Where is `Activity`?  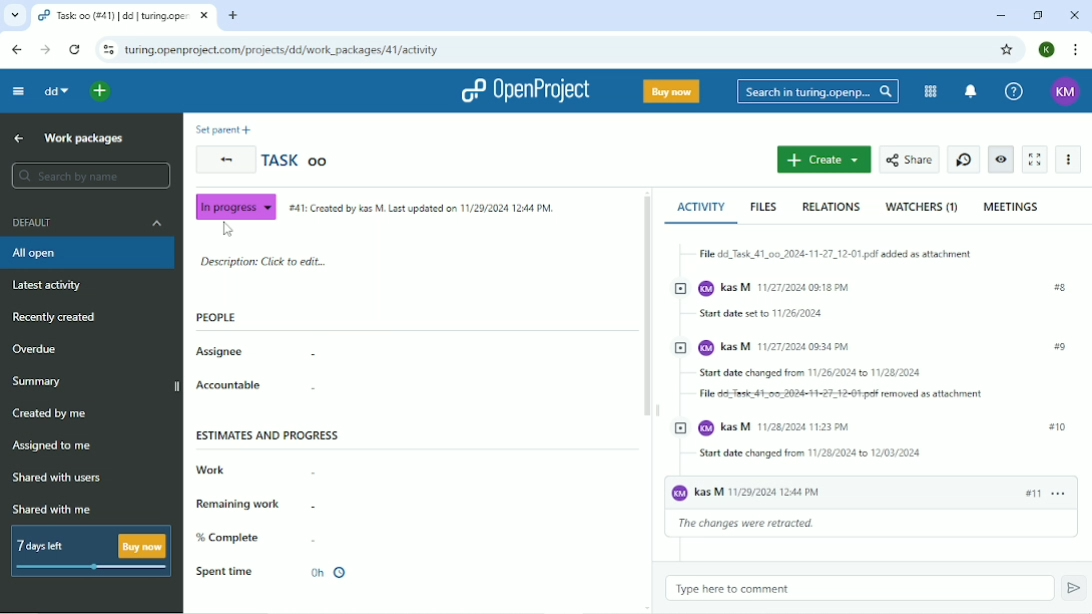 Activity is located at coordinates (701, 210).